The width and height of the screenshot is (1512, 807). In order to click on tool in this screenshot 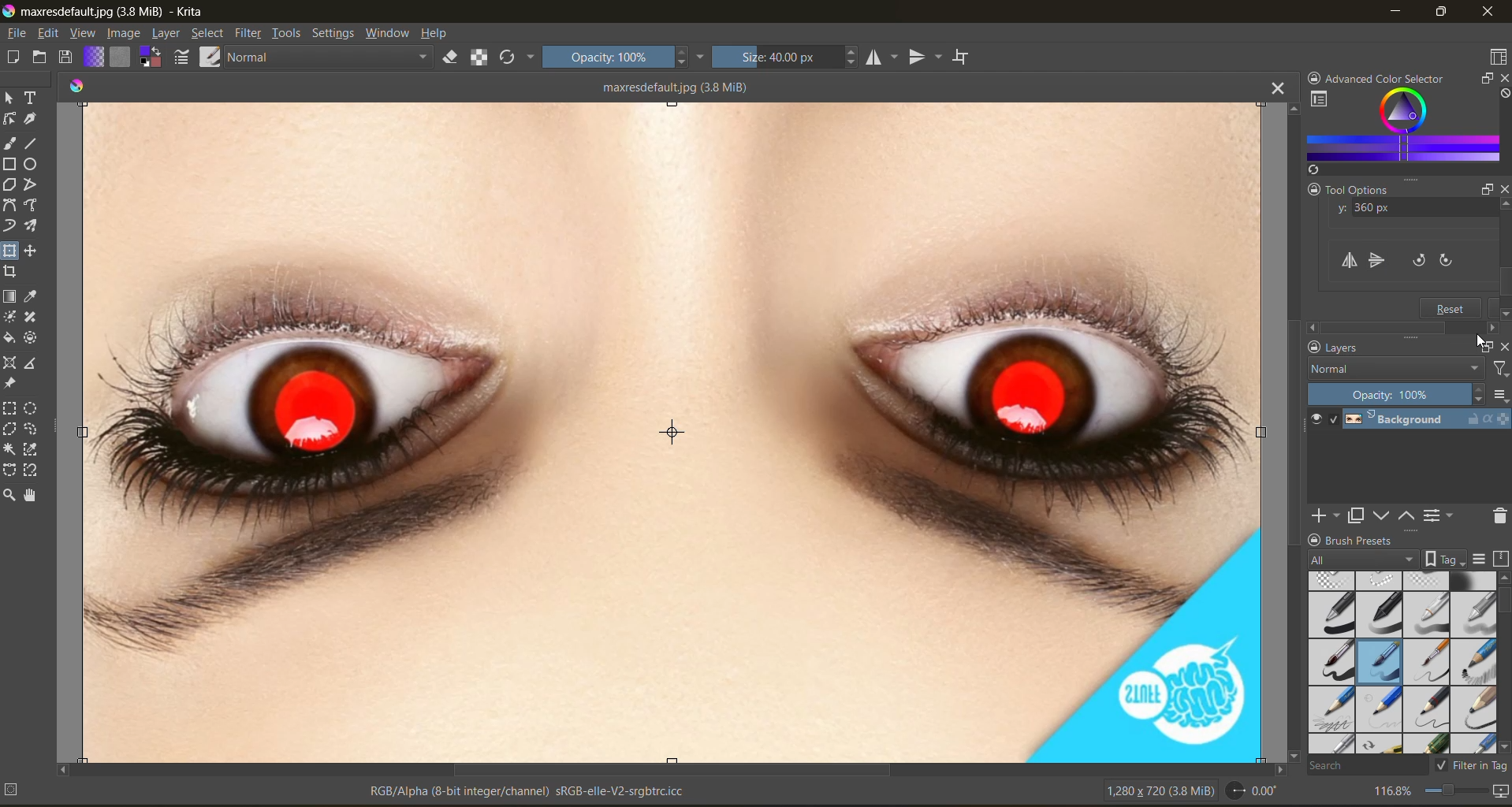, I will do `click(35, 203)`.